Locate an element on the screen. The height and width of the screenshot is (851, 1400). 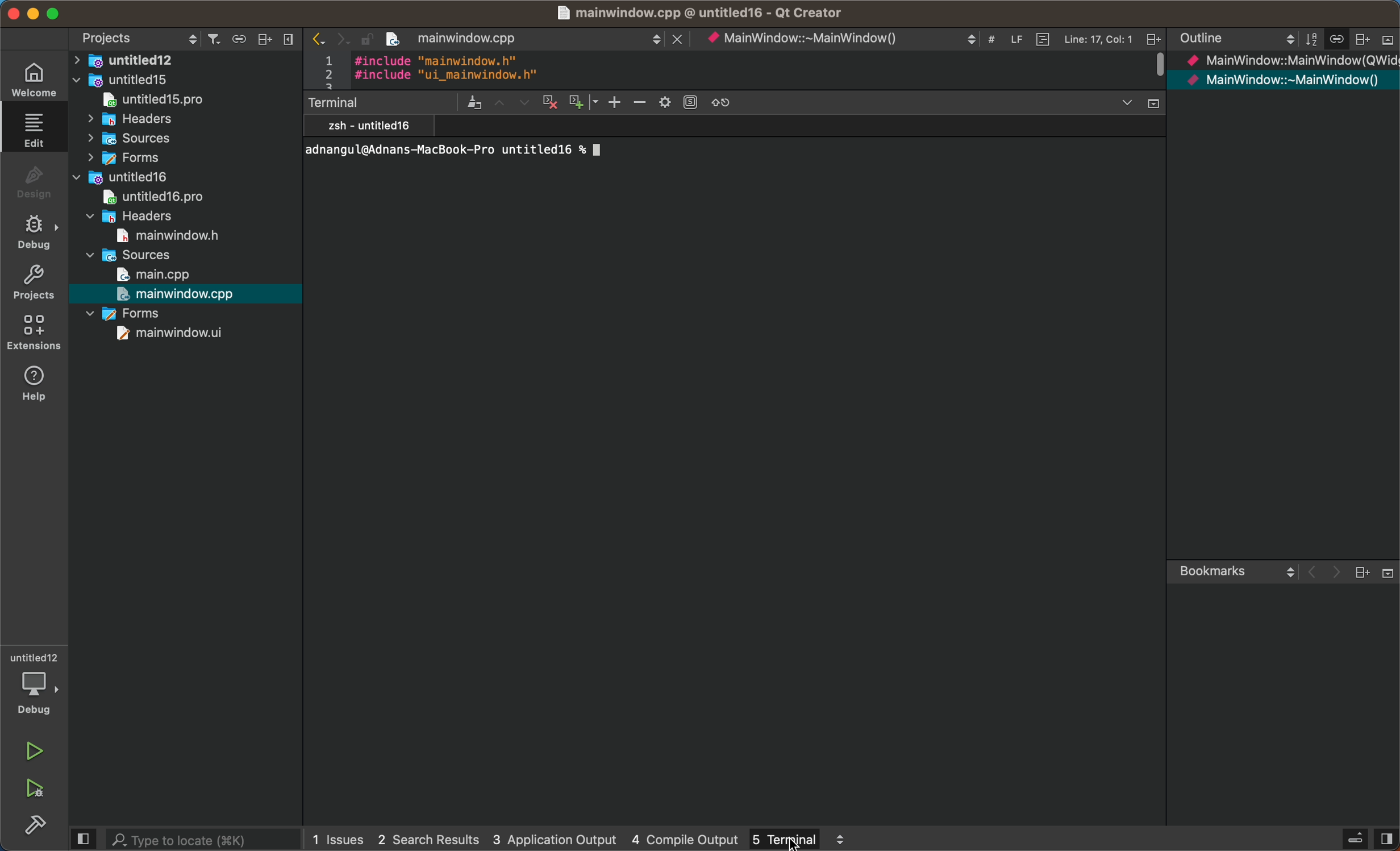
Main window-main window is located at coordinates (1291, 63).